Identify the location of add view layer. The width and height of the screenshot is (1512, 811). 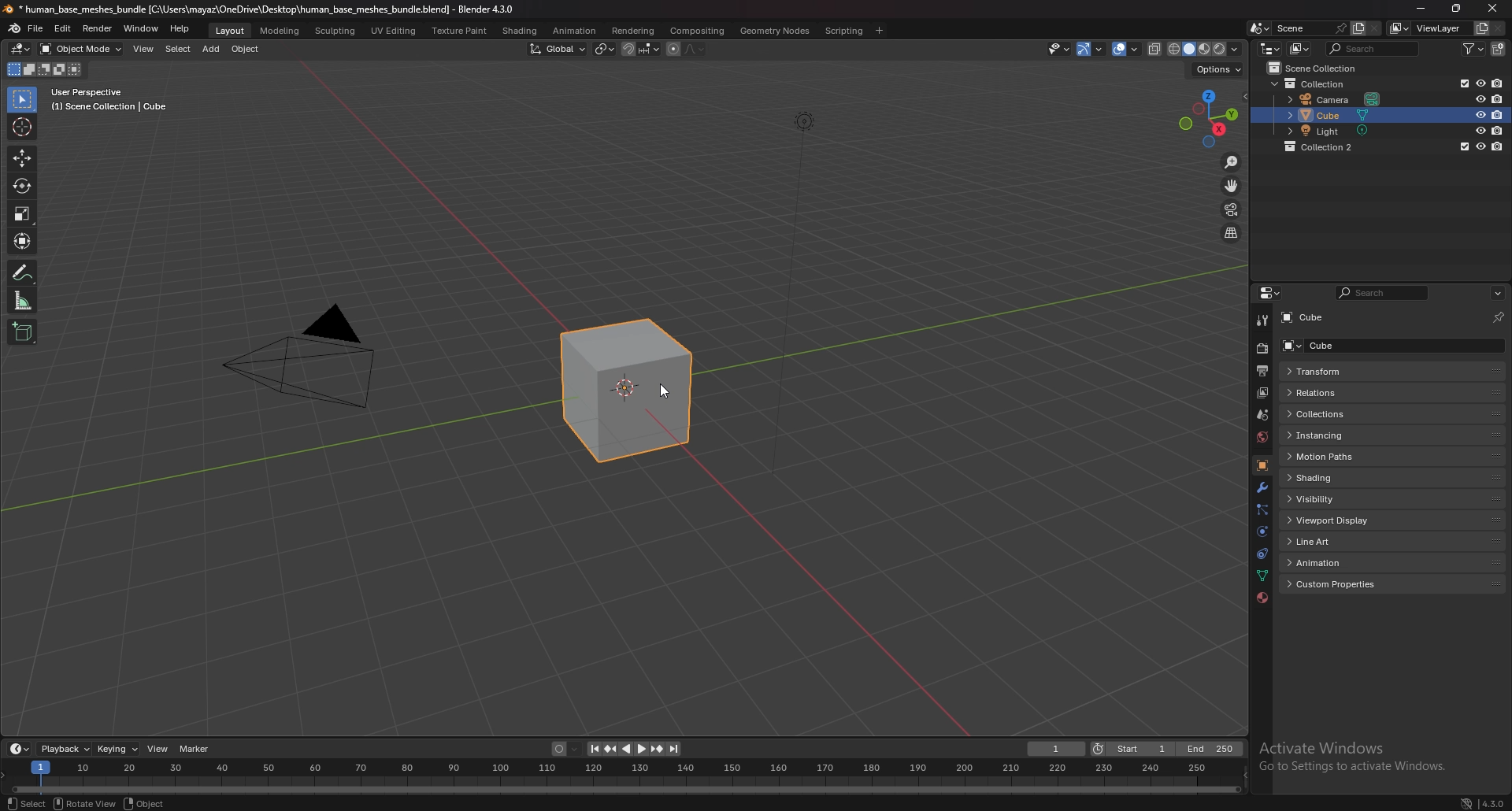
(1480, 28).